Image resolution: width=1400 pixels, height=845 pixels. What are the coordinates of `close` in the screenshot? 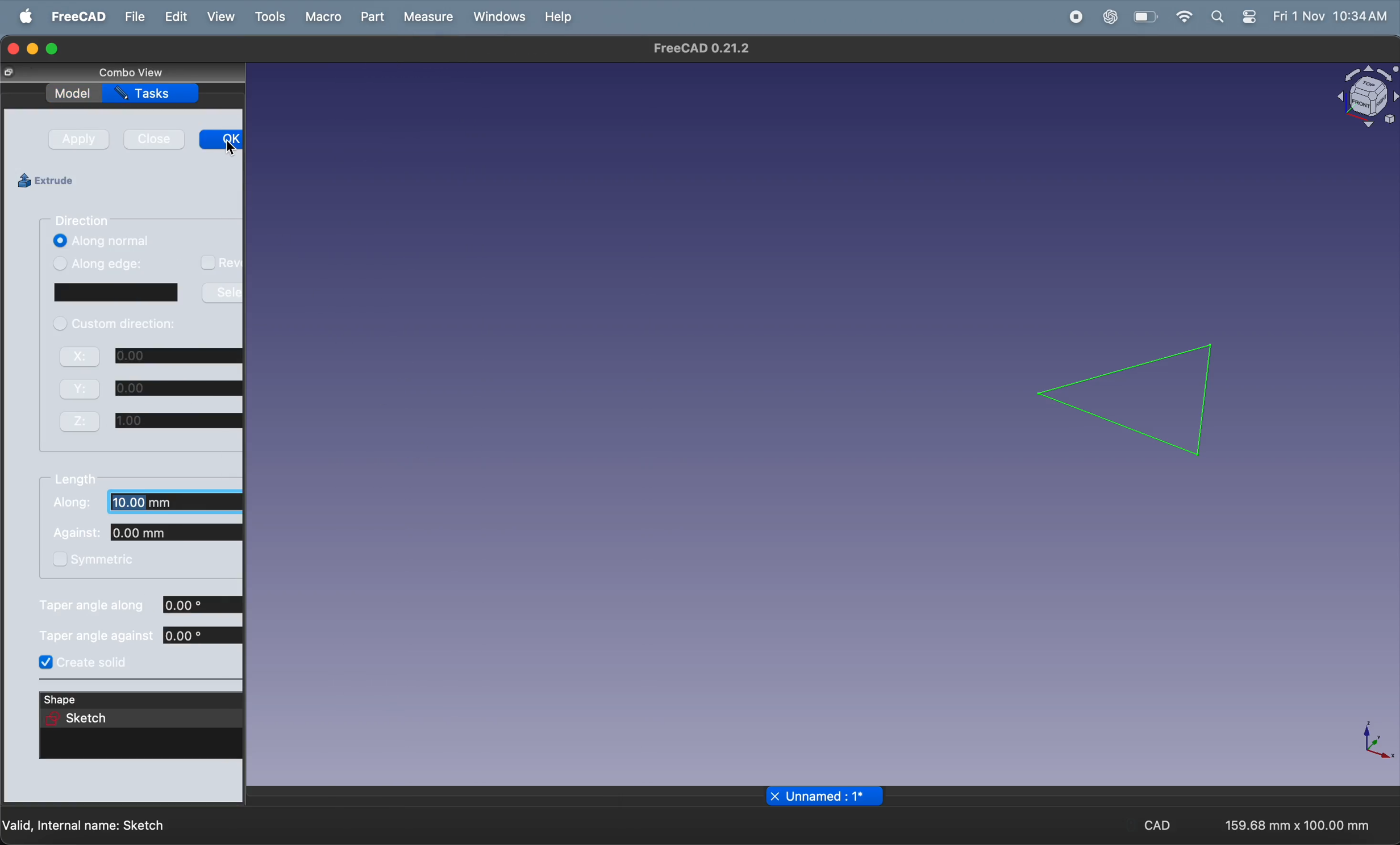 It's located at (155, 140).